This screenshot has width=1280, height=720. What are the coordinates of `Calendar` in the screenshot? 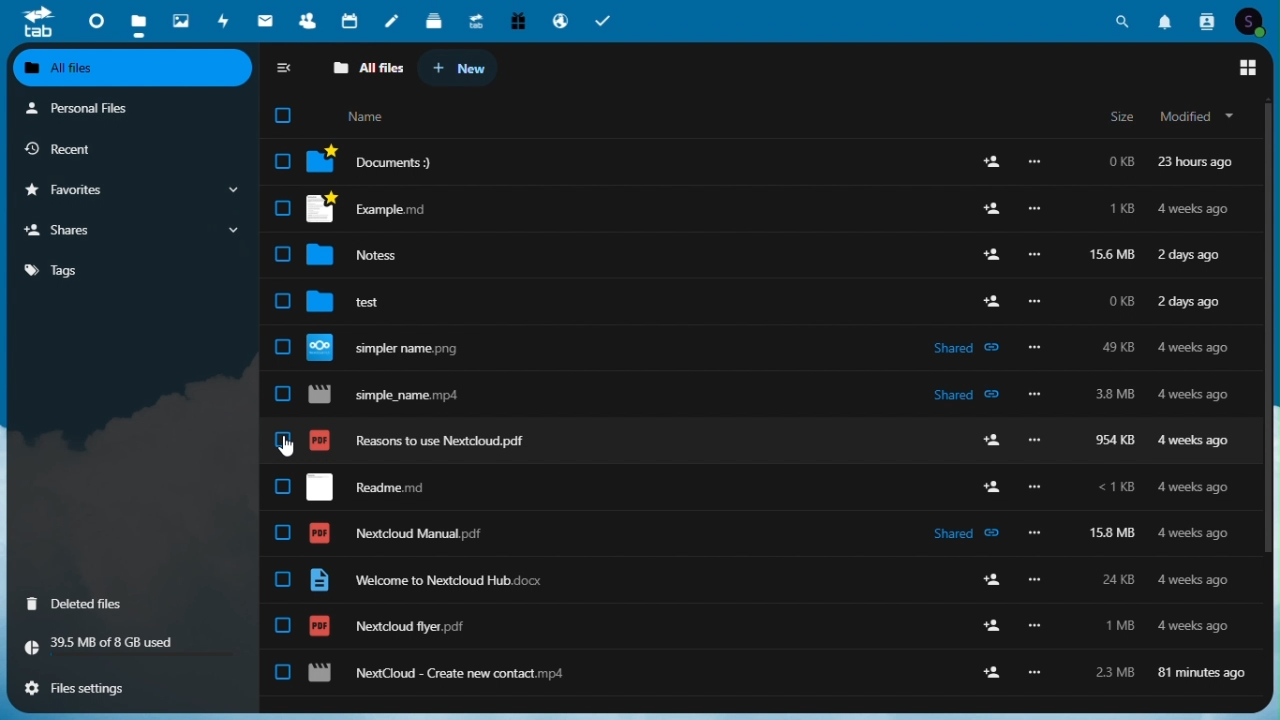 It's located at (350, 22).